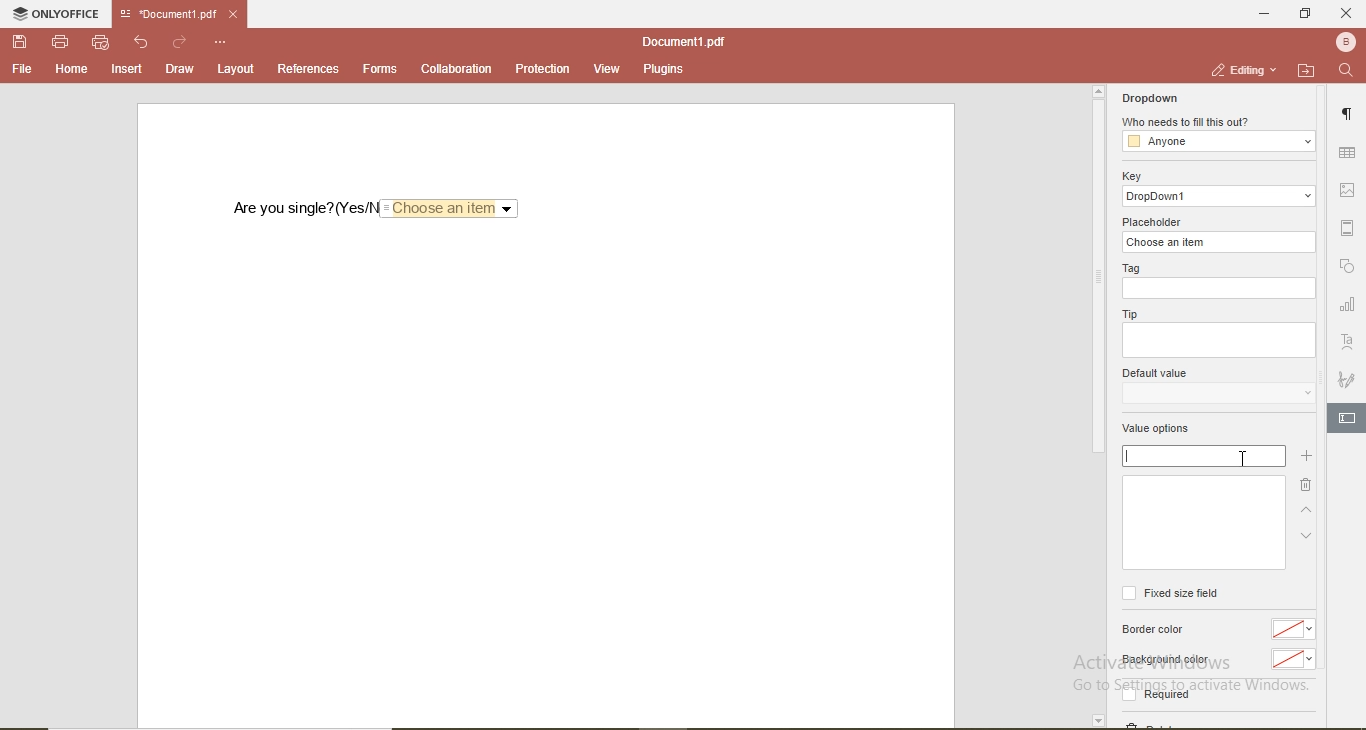 The height and width of the screenshot is (730, 1366). What do you see at coordinates (1168, 693) in the screenshot?
I see `required` at bounding box center [1168, 693].